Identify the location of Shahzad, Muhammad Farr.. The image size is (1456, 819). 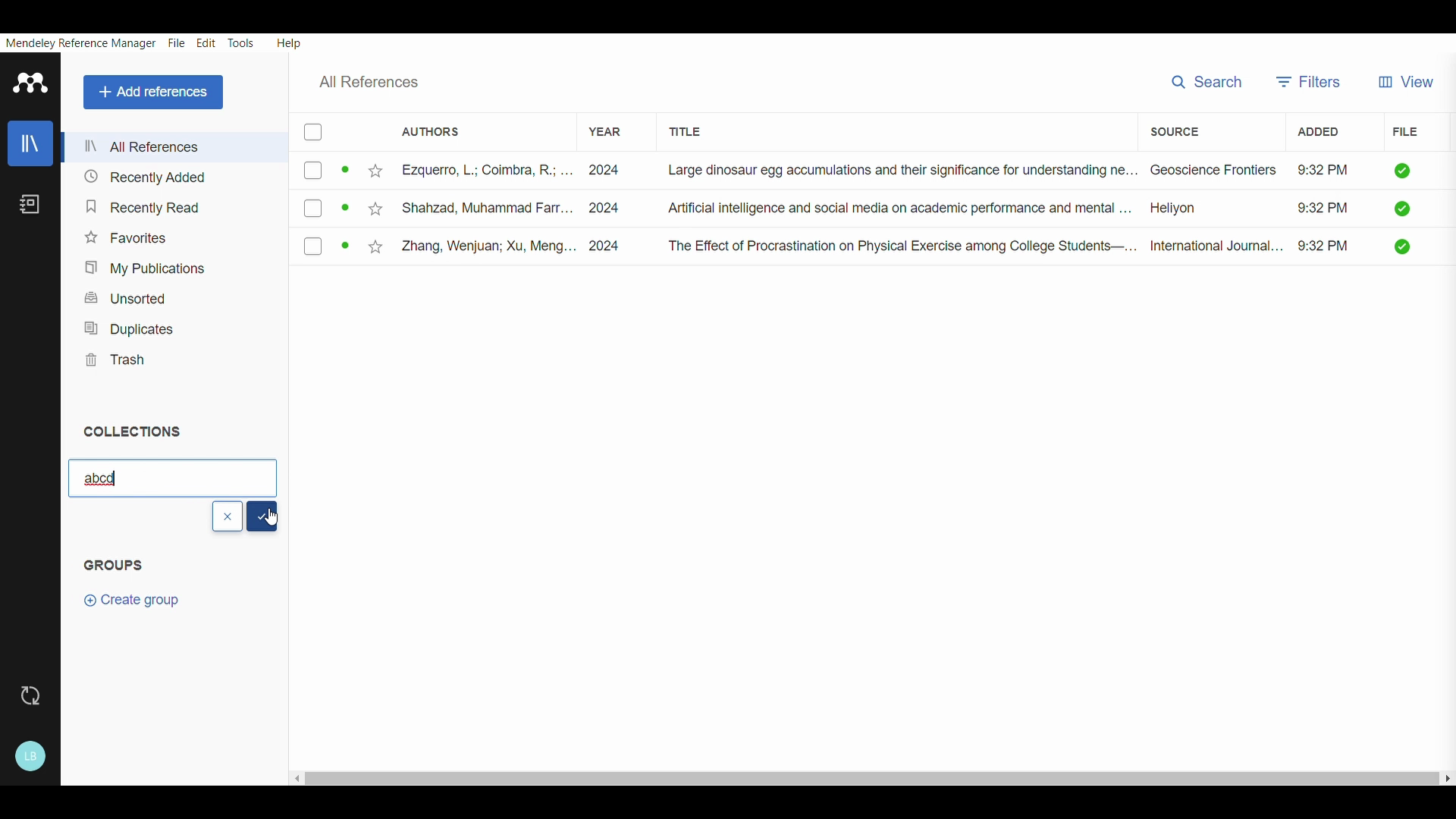
(462, 206).